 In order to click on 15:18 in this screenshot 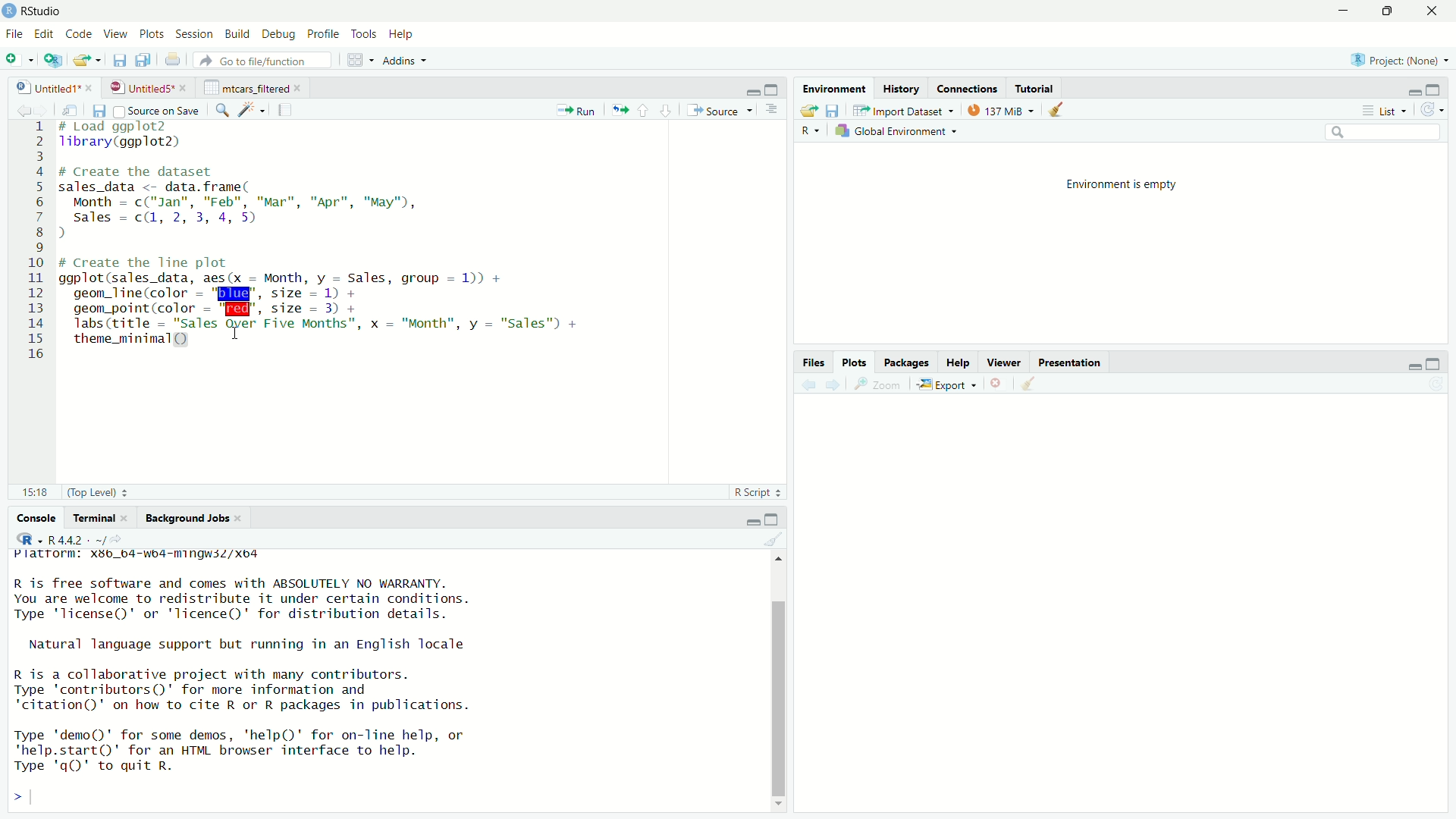, I will do `click(39, 493)`.